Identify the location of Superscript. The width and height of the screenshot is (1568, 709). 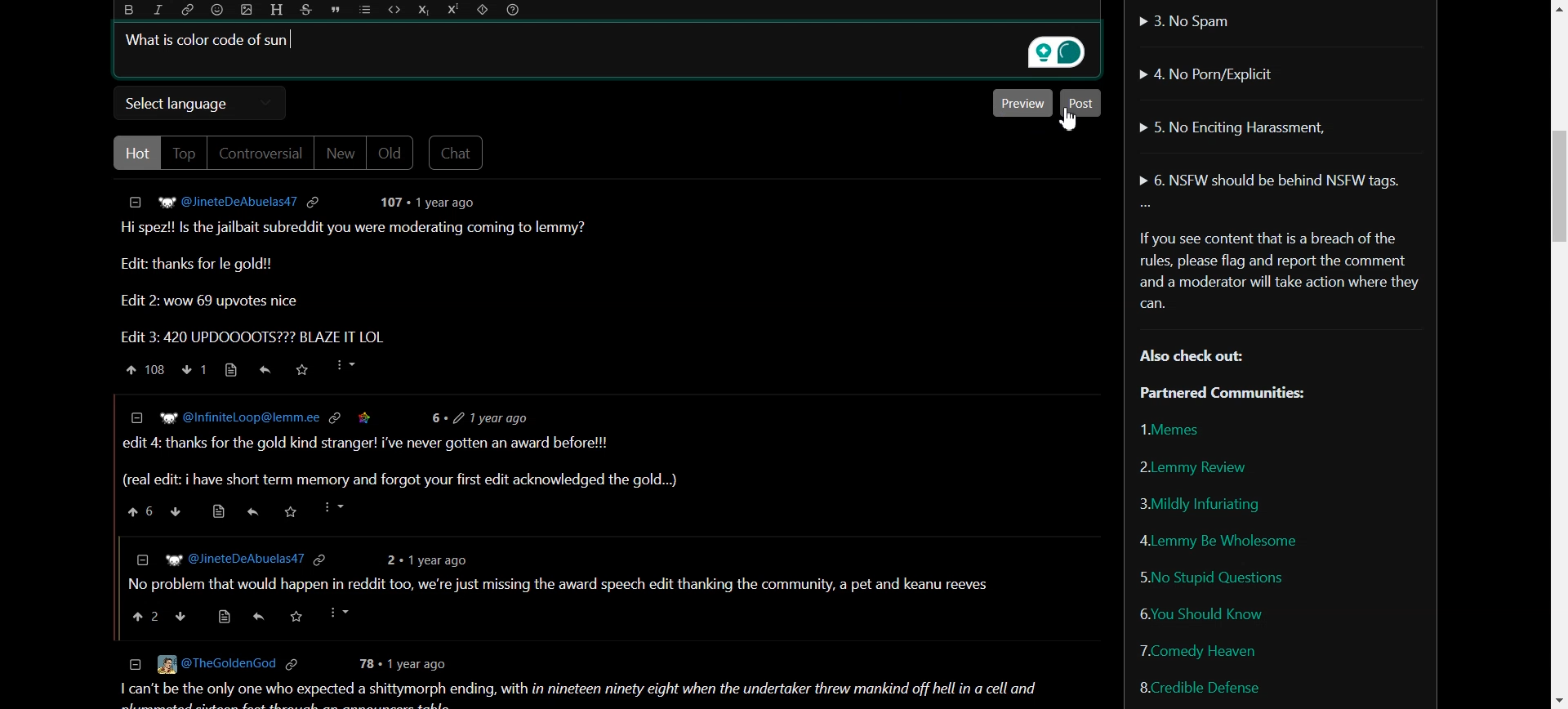
(452, 11).